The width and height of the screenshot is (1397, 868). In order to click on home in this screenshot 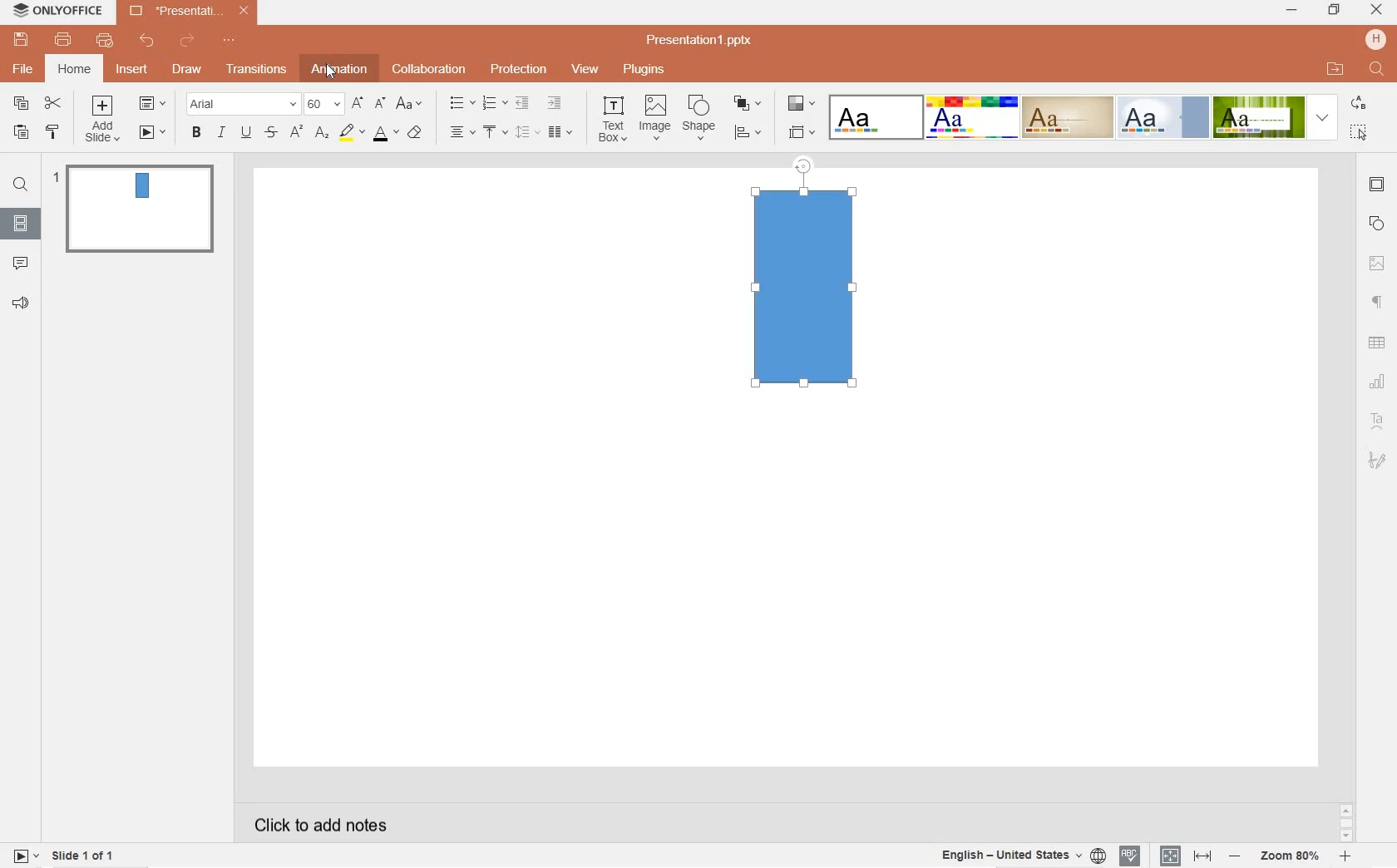, I will do `click(74, 69)`.